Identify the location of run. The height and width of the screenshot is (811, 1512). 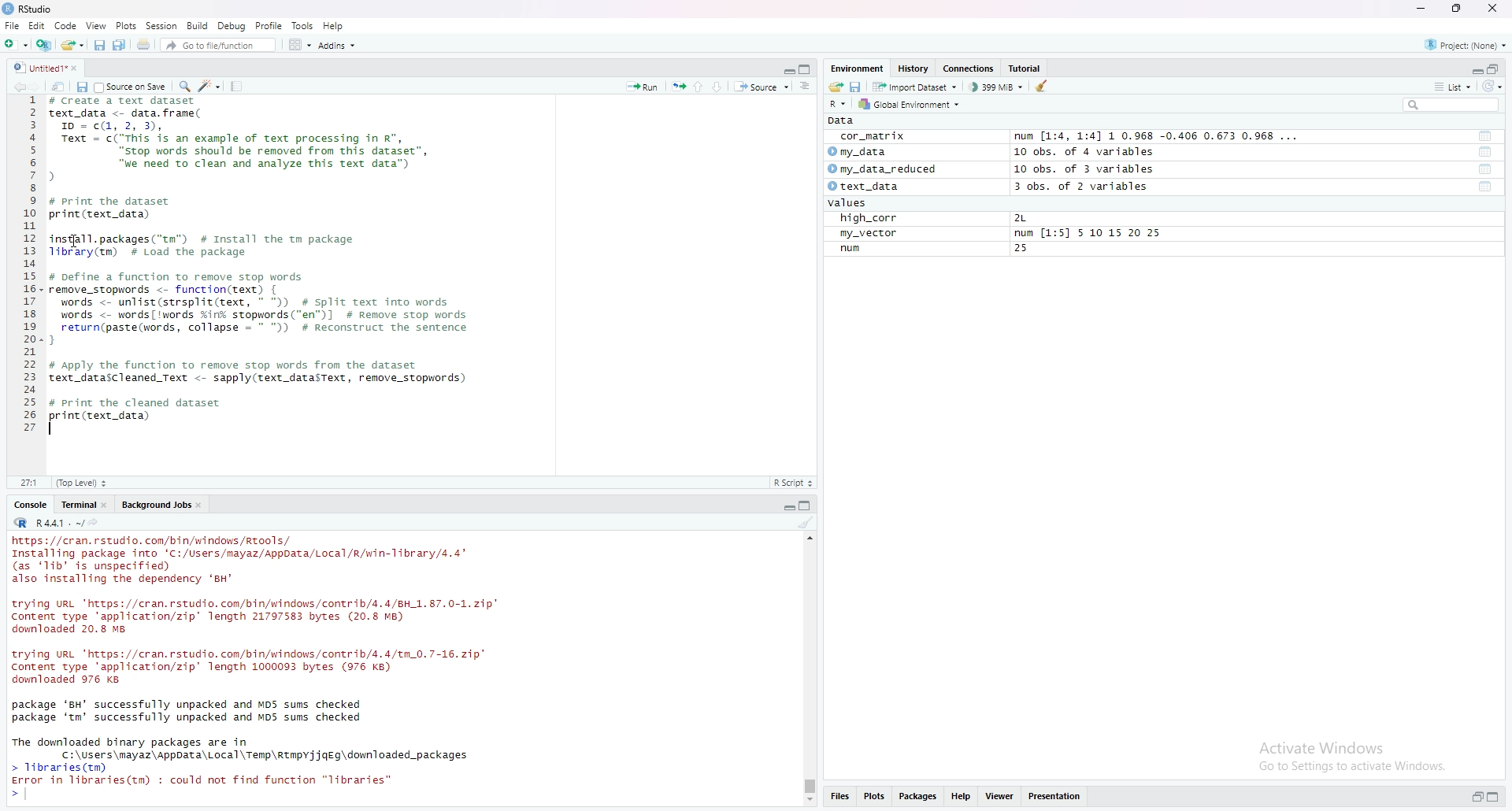
(642, 87).